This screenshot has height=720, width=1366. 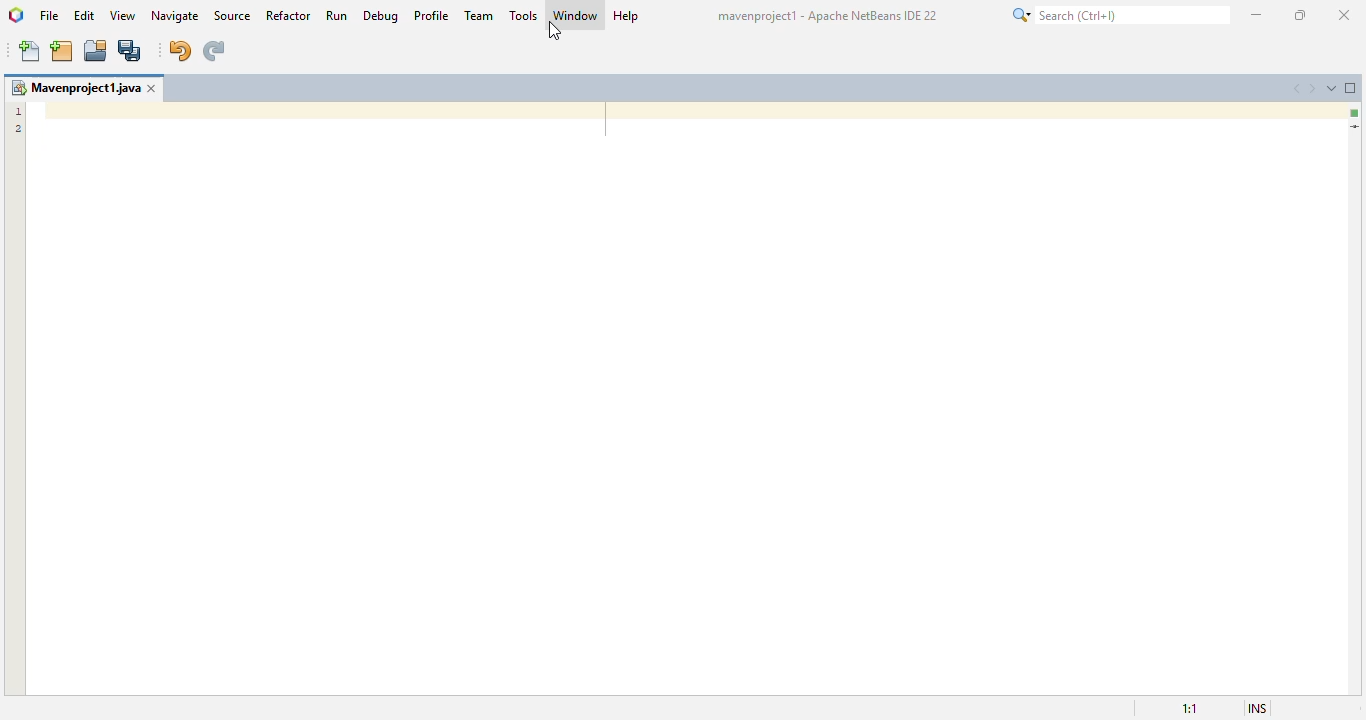 I want to click on maximize, so click(x=1300, y=15).